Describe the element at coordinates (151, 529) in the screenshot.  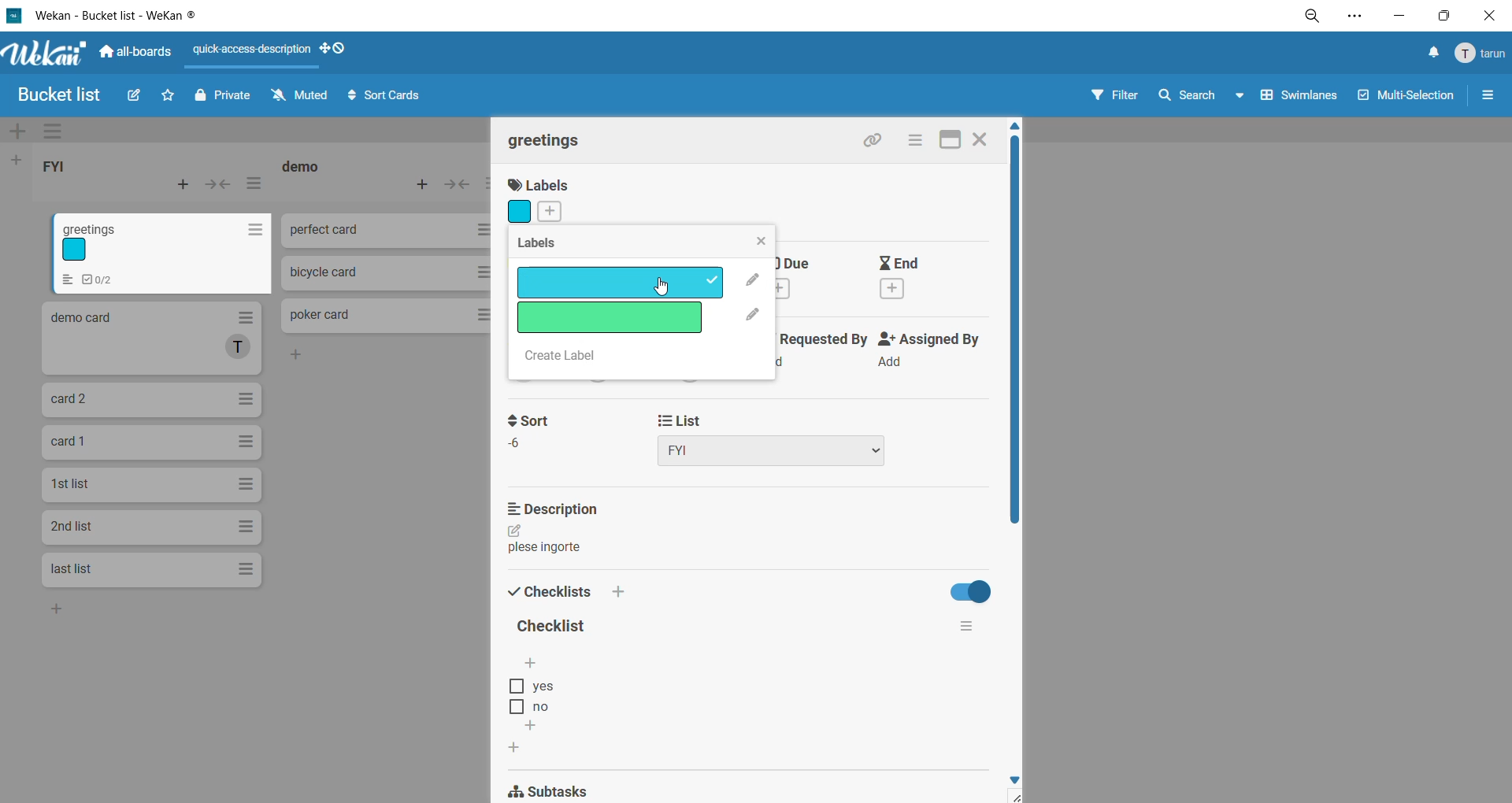
I see `2nd list` at that location.